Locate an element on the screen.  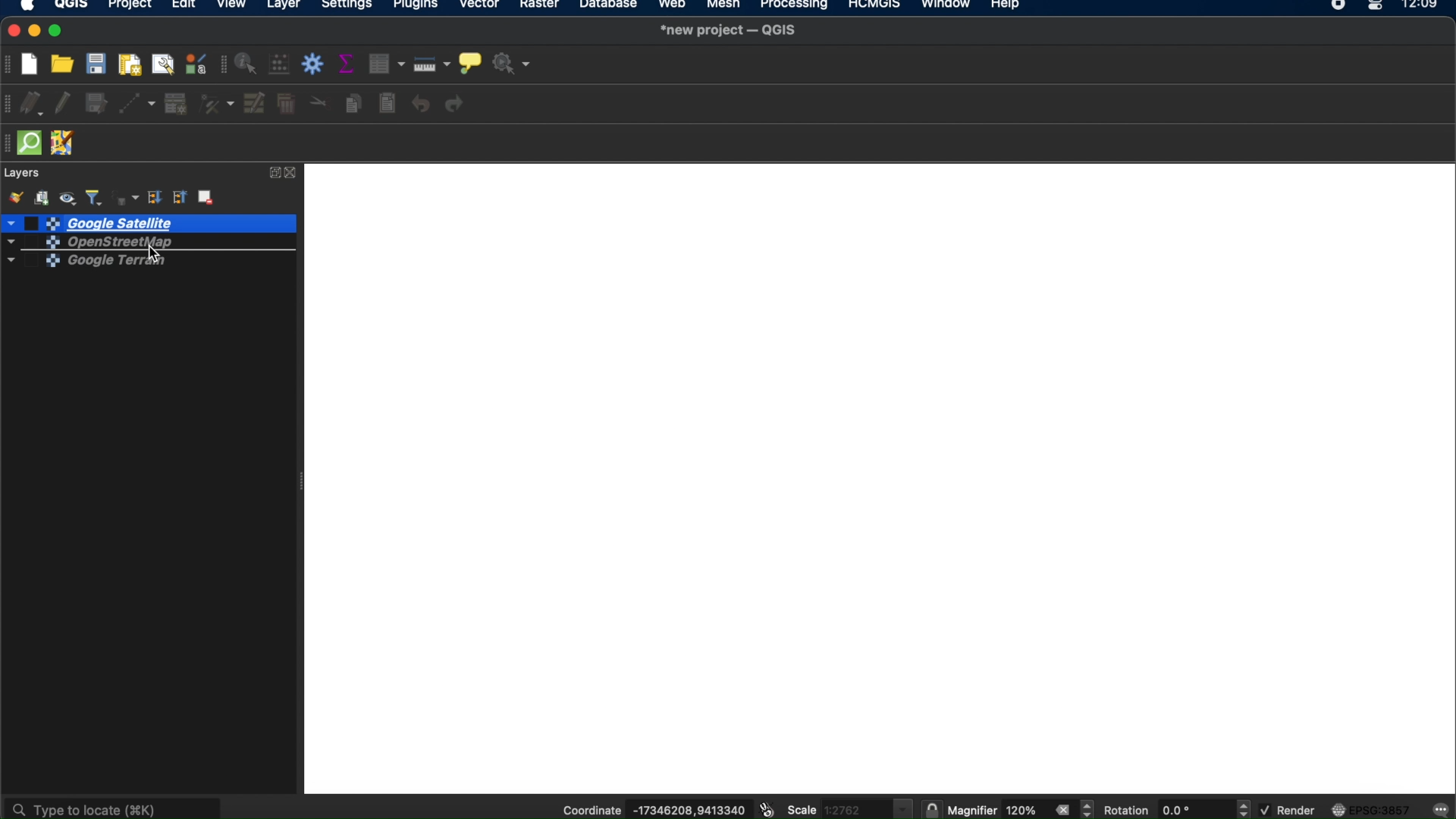
web is located at coordinates (673, 6).